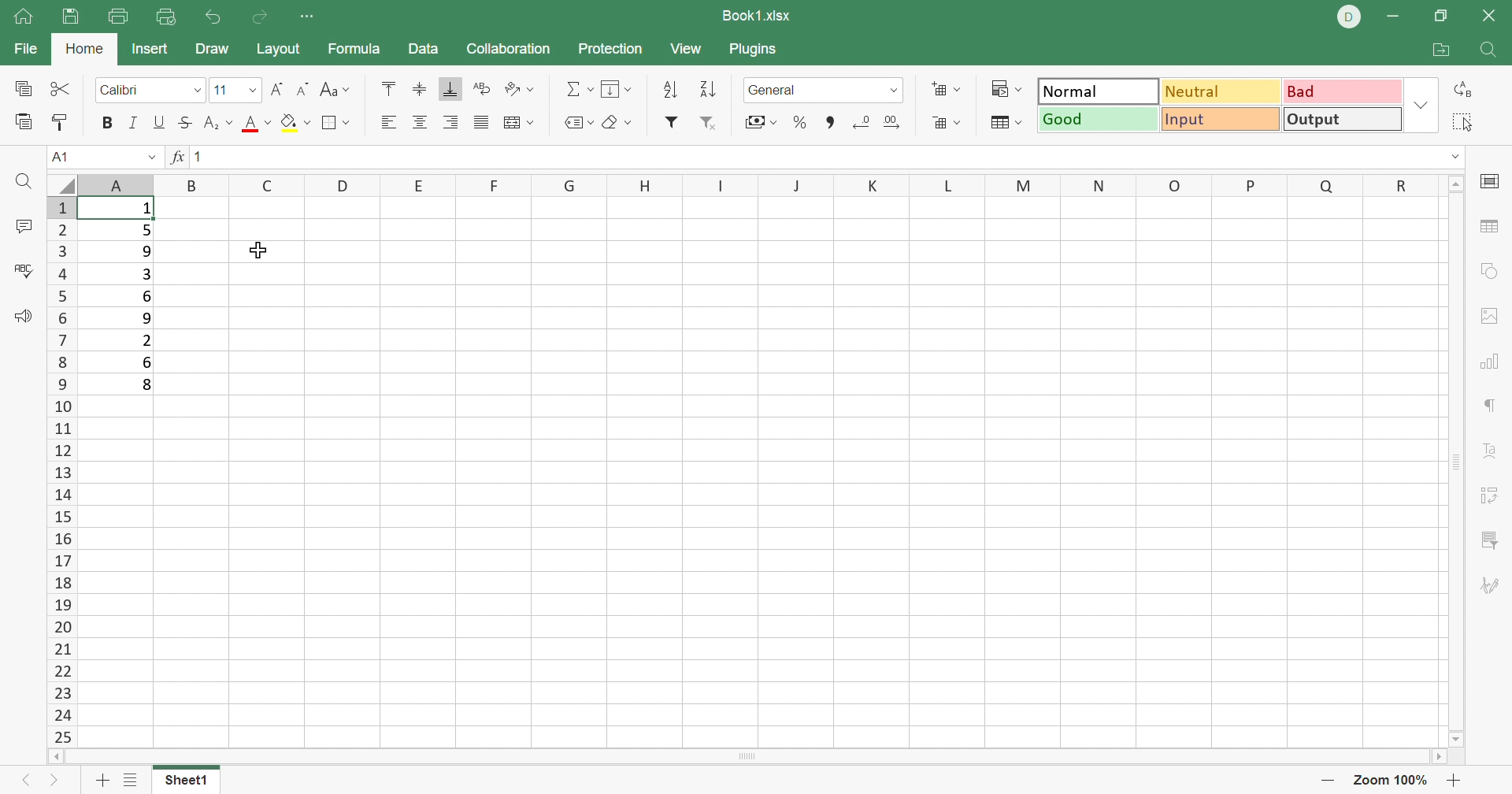 The height and width of the screenshot is (794, 1512). What do you see at coordinates (147, 254) in the screenshot?
I see `9` at bounding box center [147, 254].